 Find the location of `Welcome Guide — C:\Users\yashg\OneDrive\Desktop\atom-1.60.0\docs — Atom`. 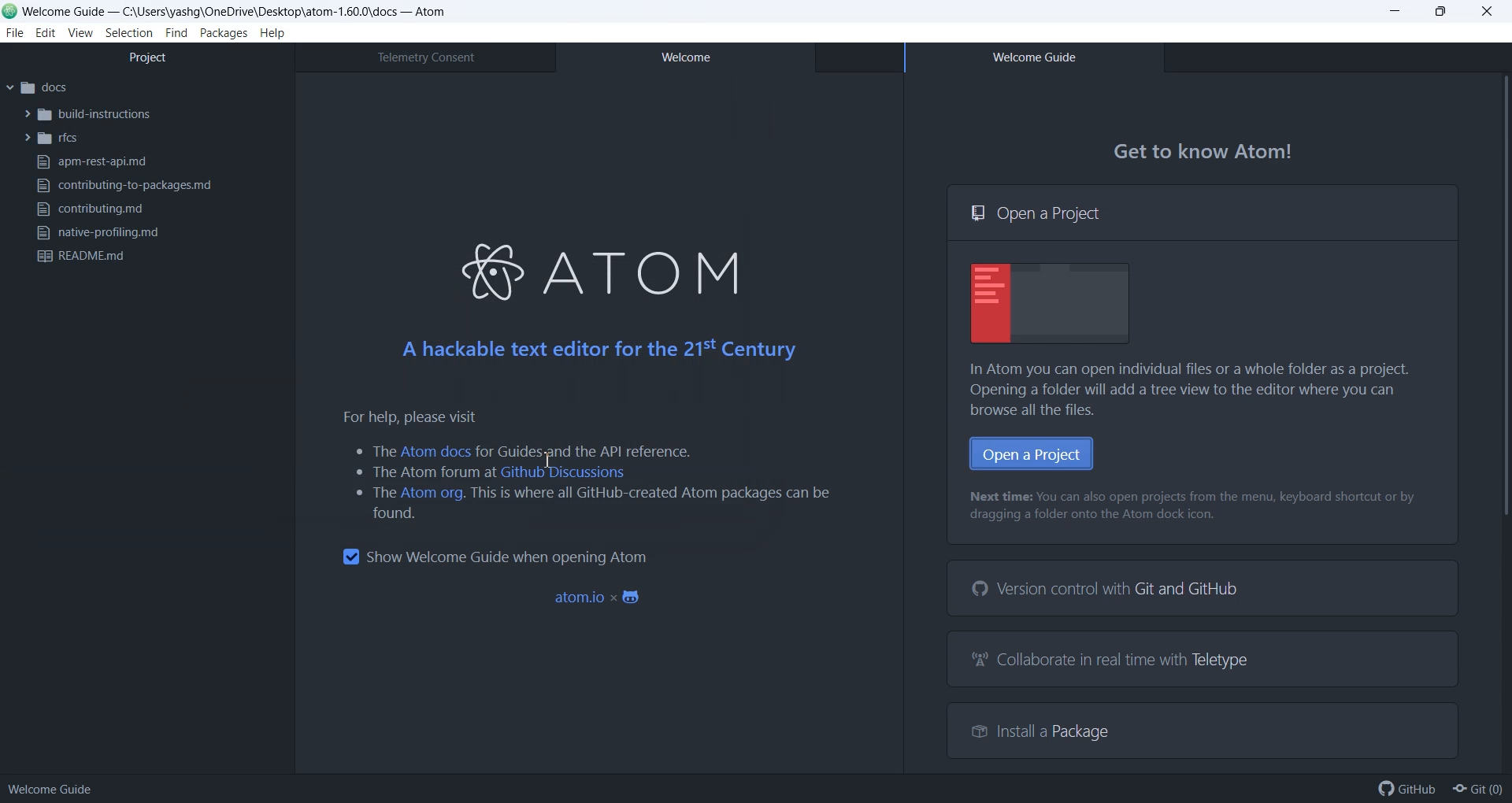

Welcome Guide — C:\Users\yashg\OneDrive\Desktop\atom-1.60.0\docs — Atom is located at coordinates (228, 10).